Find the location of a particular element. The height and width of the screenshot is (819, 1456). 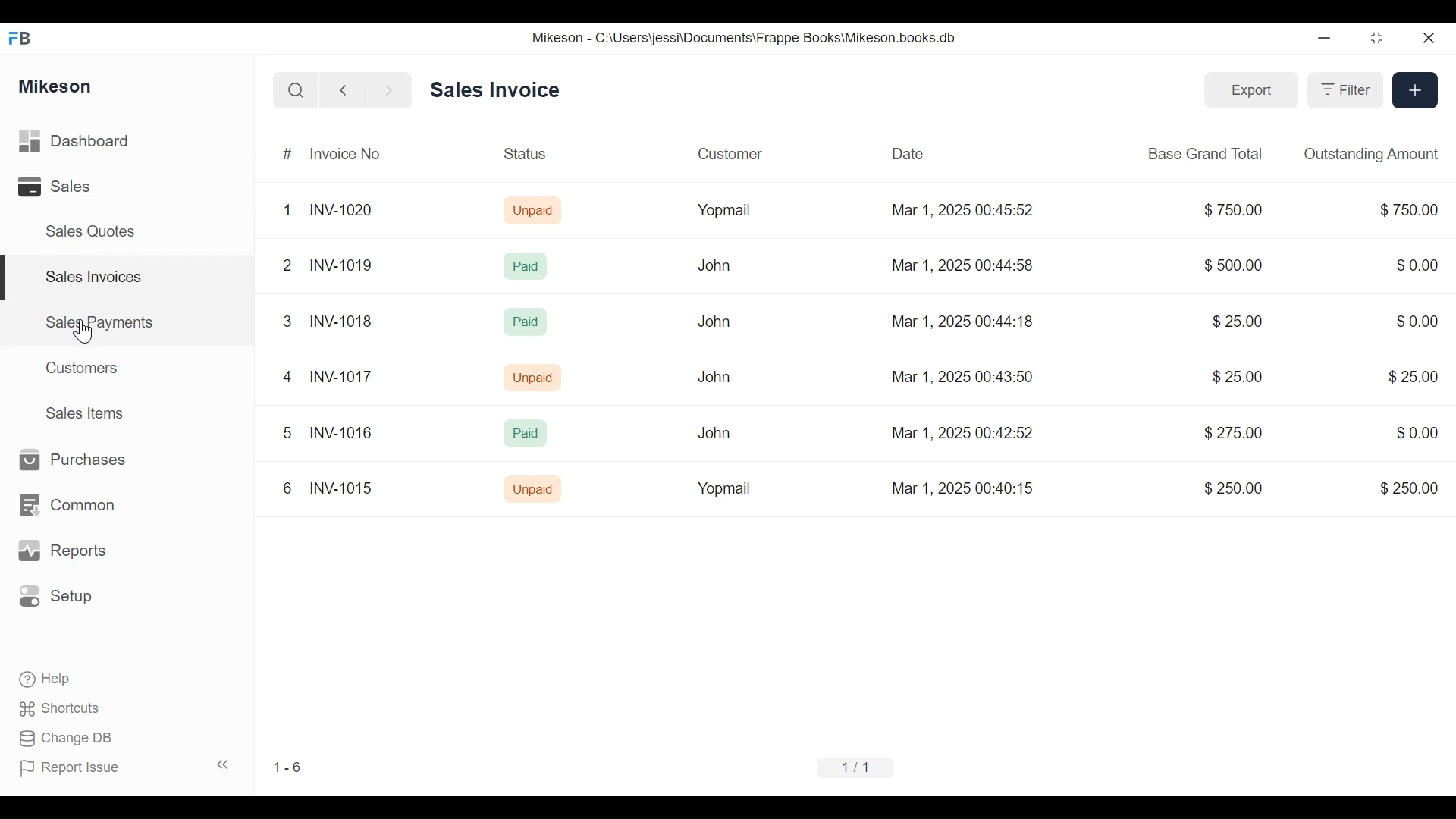

Sales Invoices is located at coordinates (88, 278).